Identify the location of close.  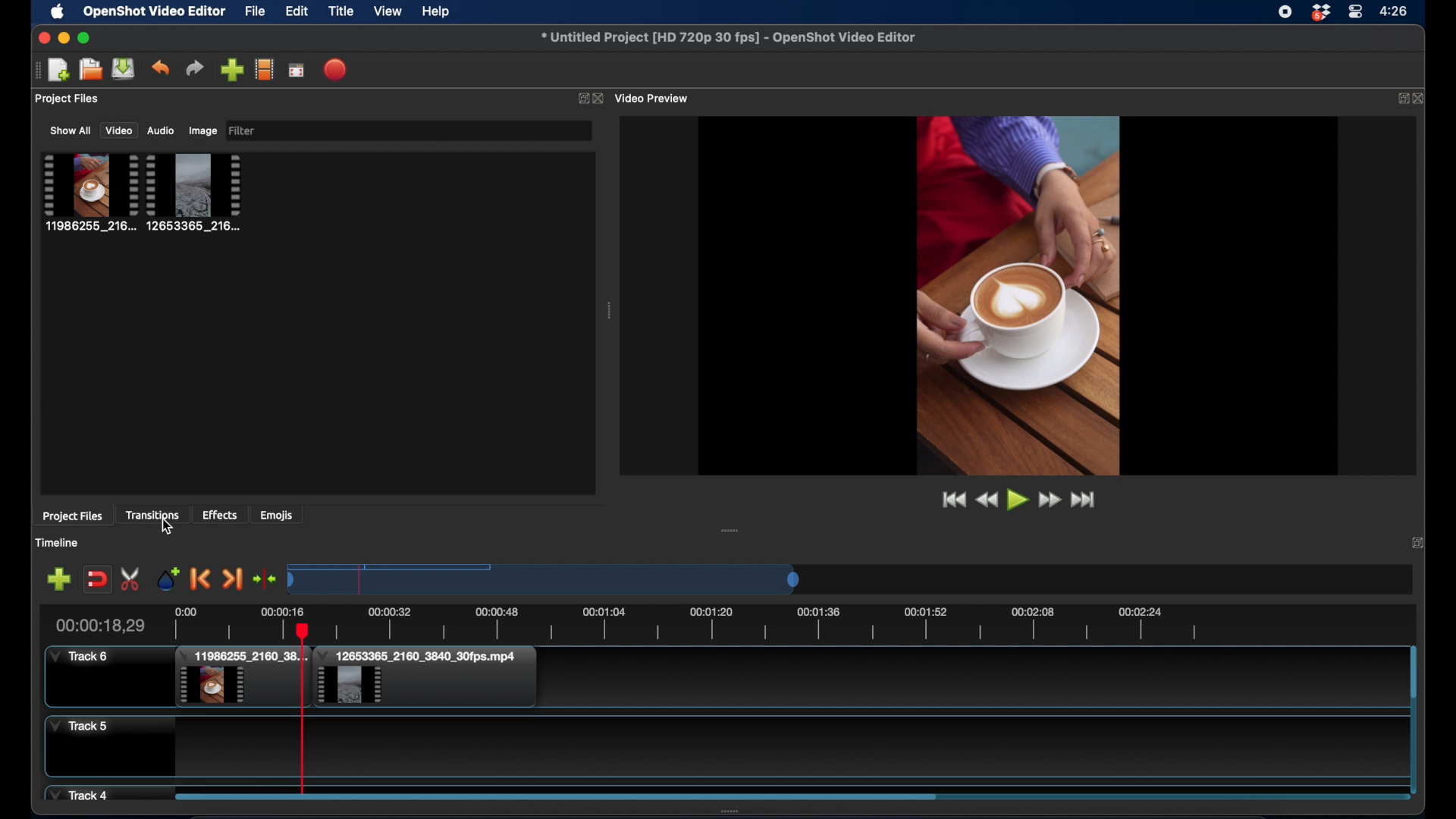
(600, 99).